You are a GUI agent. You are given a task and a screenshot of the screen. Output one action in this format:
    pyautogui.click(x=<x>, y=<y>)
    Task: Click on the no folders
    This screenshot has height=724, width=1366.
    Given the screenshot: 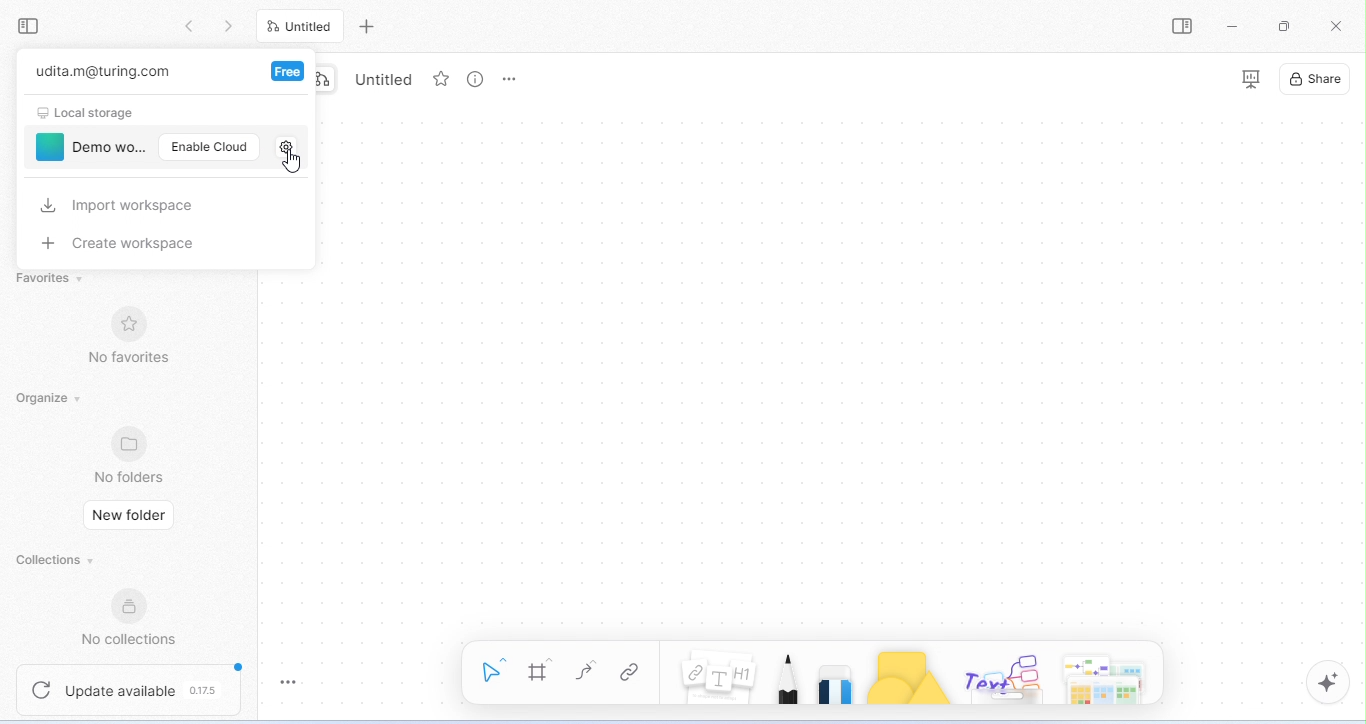 What is the action you would take?
    pyautogui.click(x=132, y=455)
    